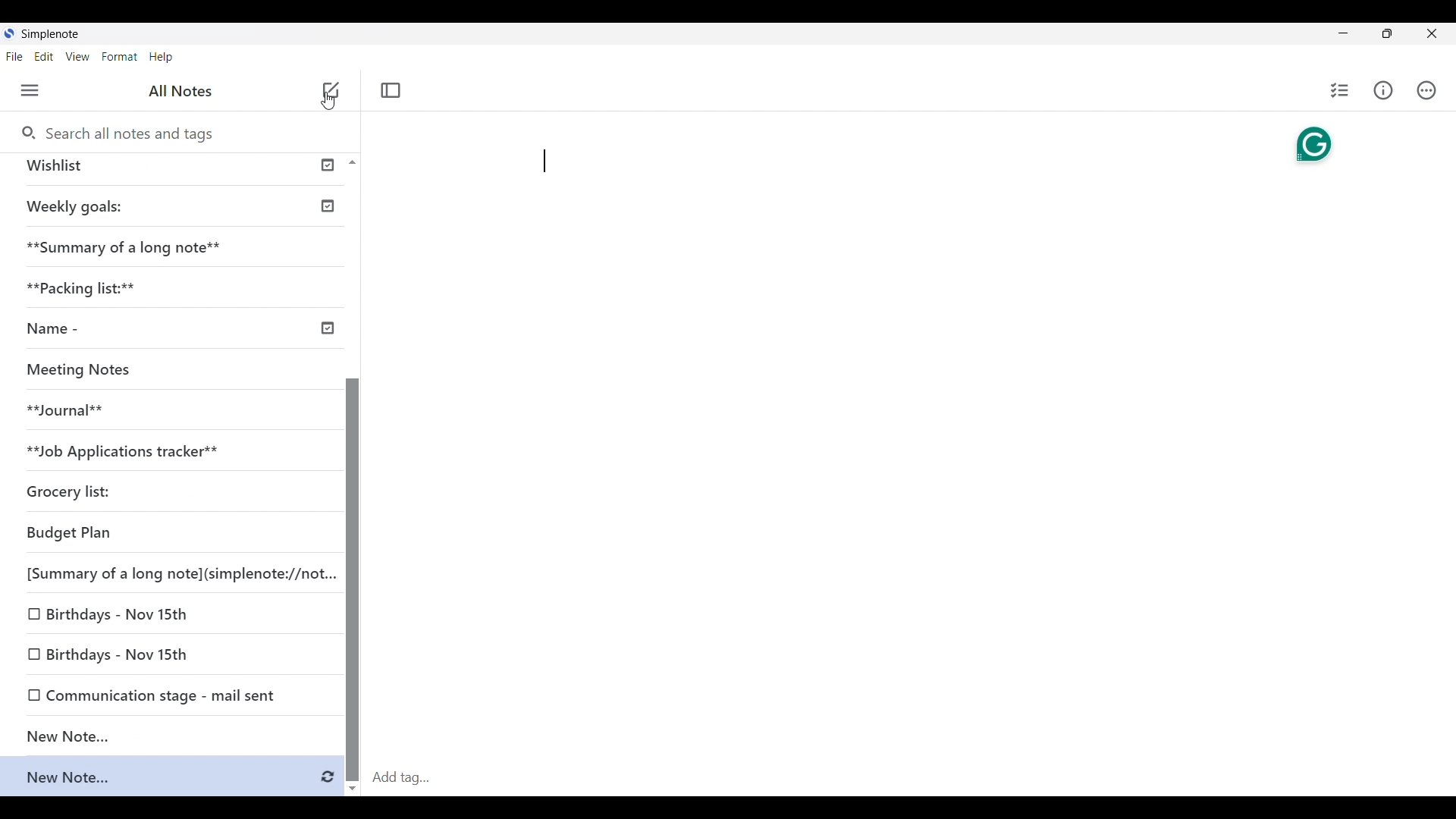 This screenshot has width=1456, height=819. I want to click on Journal, so click(63, 411).